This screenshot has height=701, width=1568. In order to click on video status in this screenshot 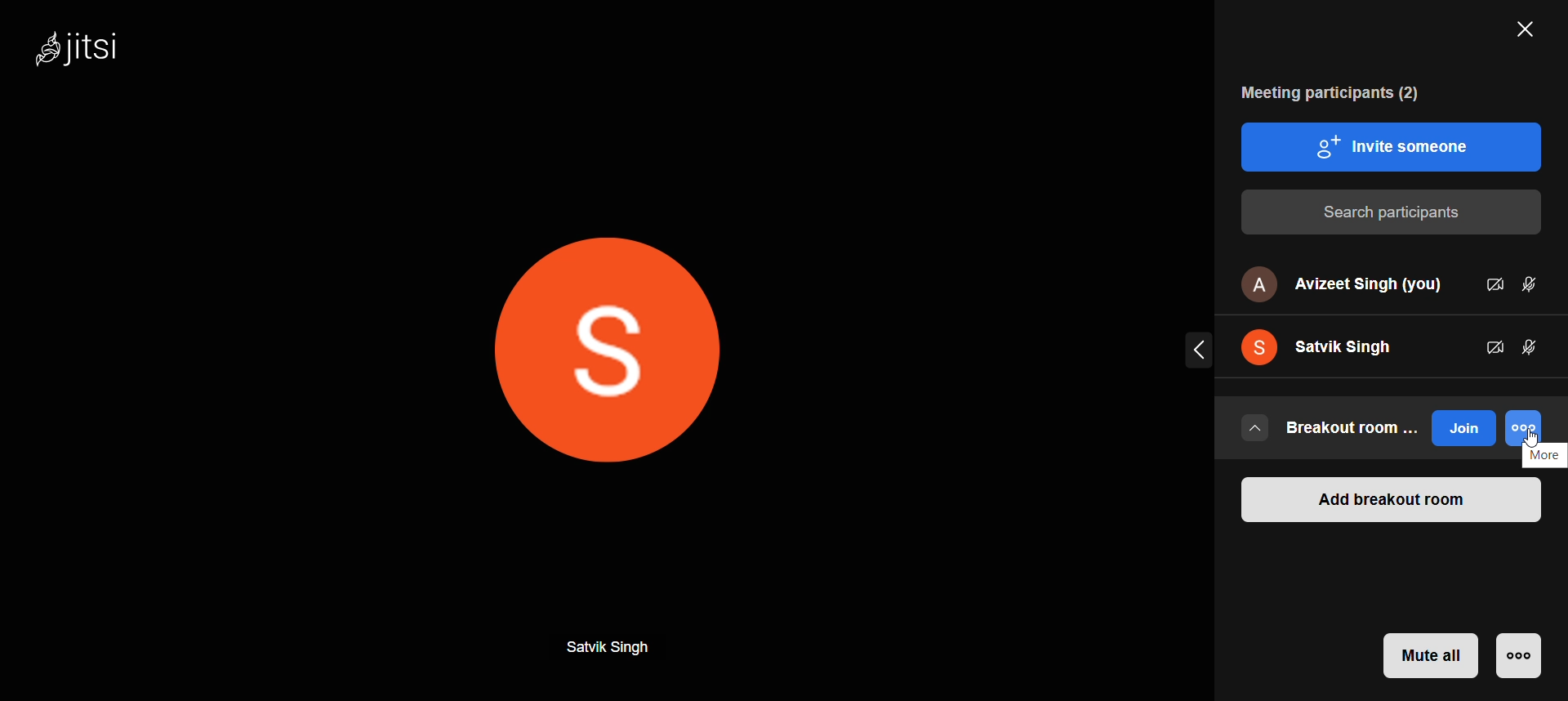, I will do `click(1492, 284)`.